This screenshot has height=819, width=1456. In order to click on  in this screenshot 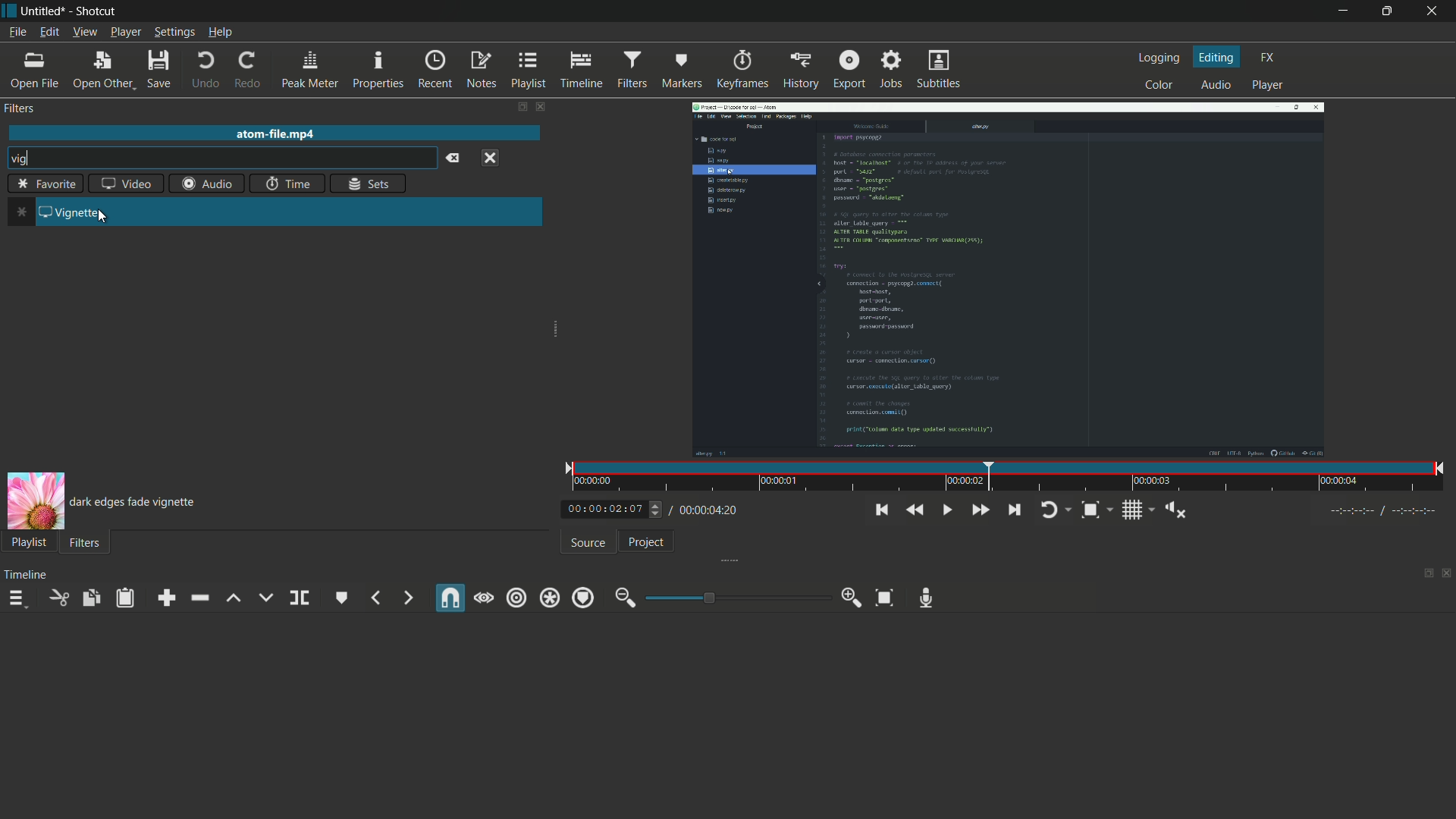, I will do `click(647, 541)`.